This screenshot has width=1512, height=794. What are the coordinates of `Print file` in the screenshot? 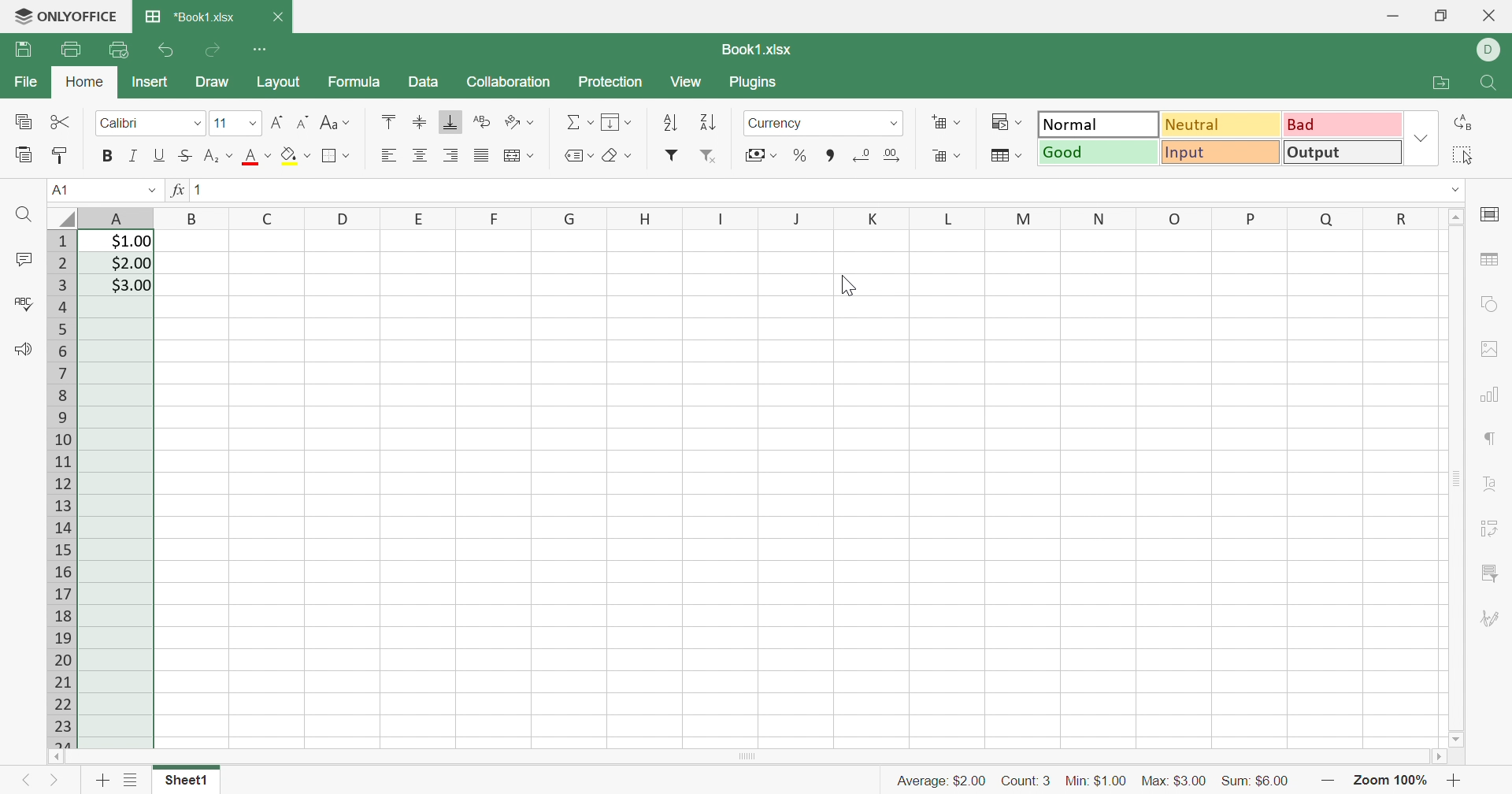 It's located at (72, 50).